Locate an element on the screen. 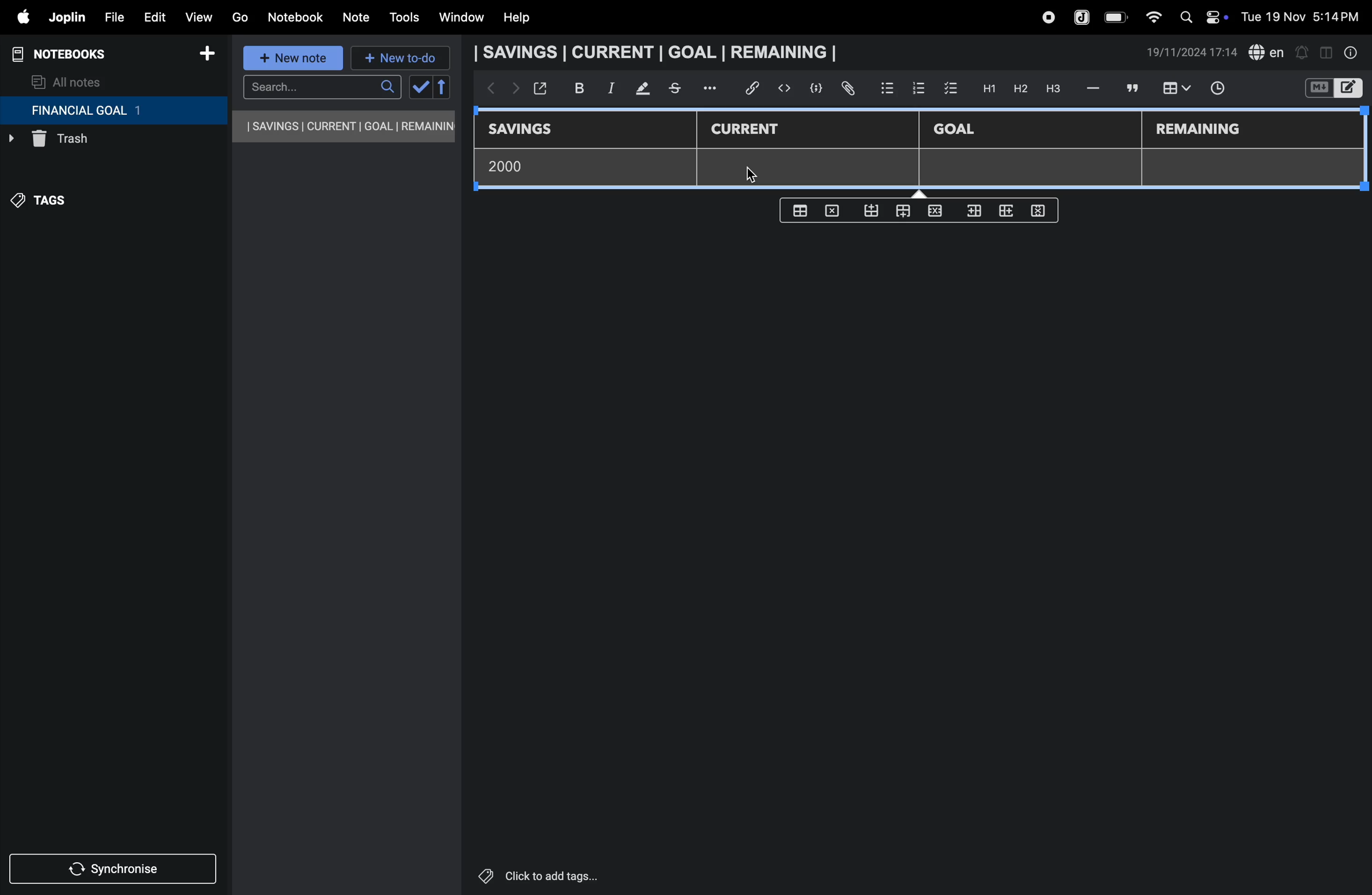 The image size is (1372, 895). date and time is located at coordinates (1304, 16).